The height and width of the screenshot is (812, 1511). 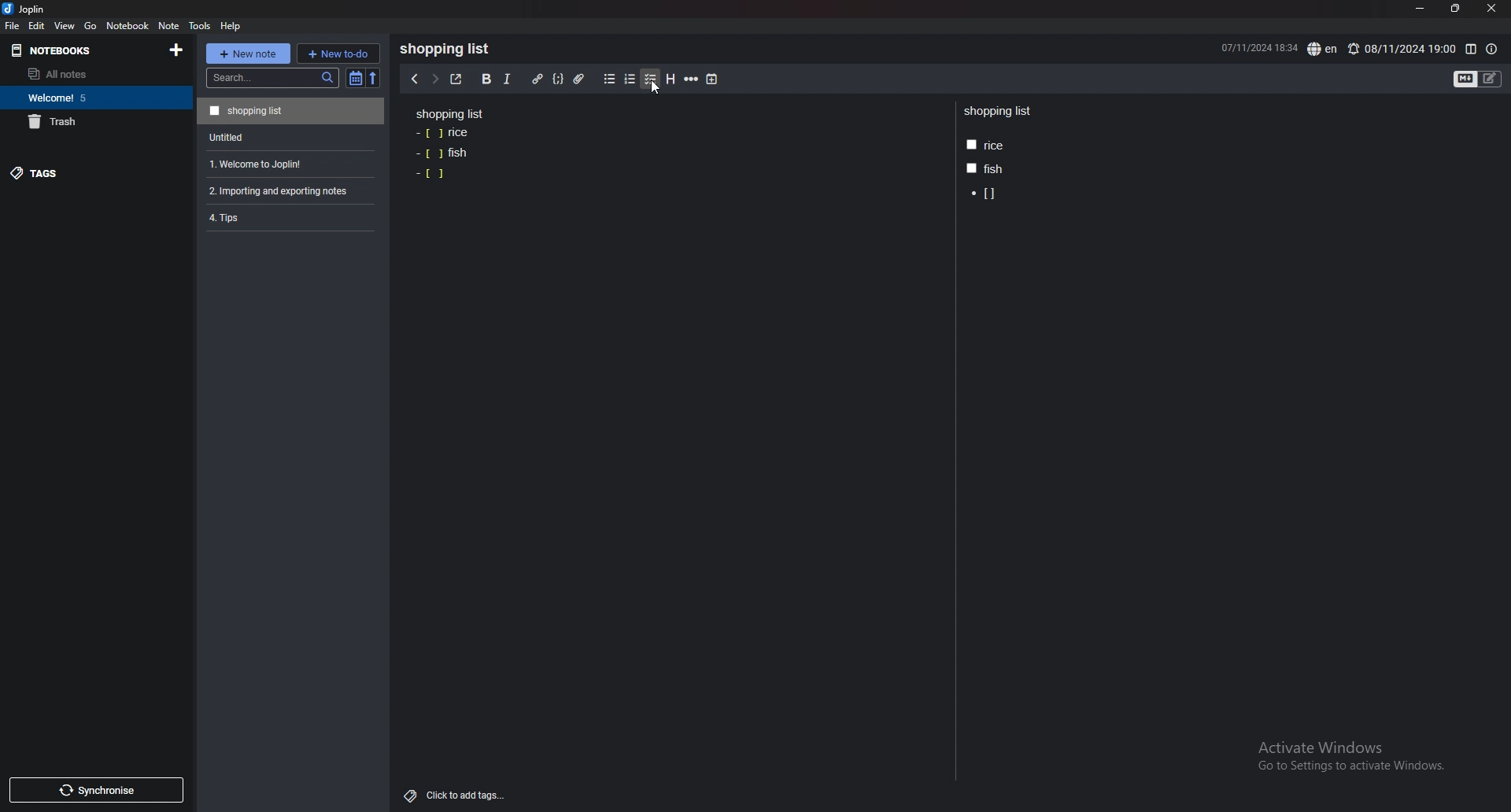 I want to click on code, so click(x=558, y=79).